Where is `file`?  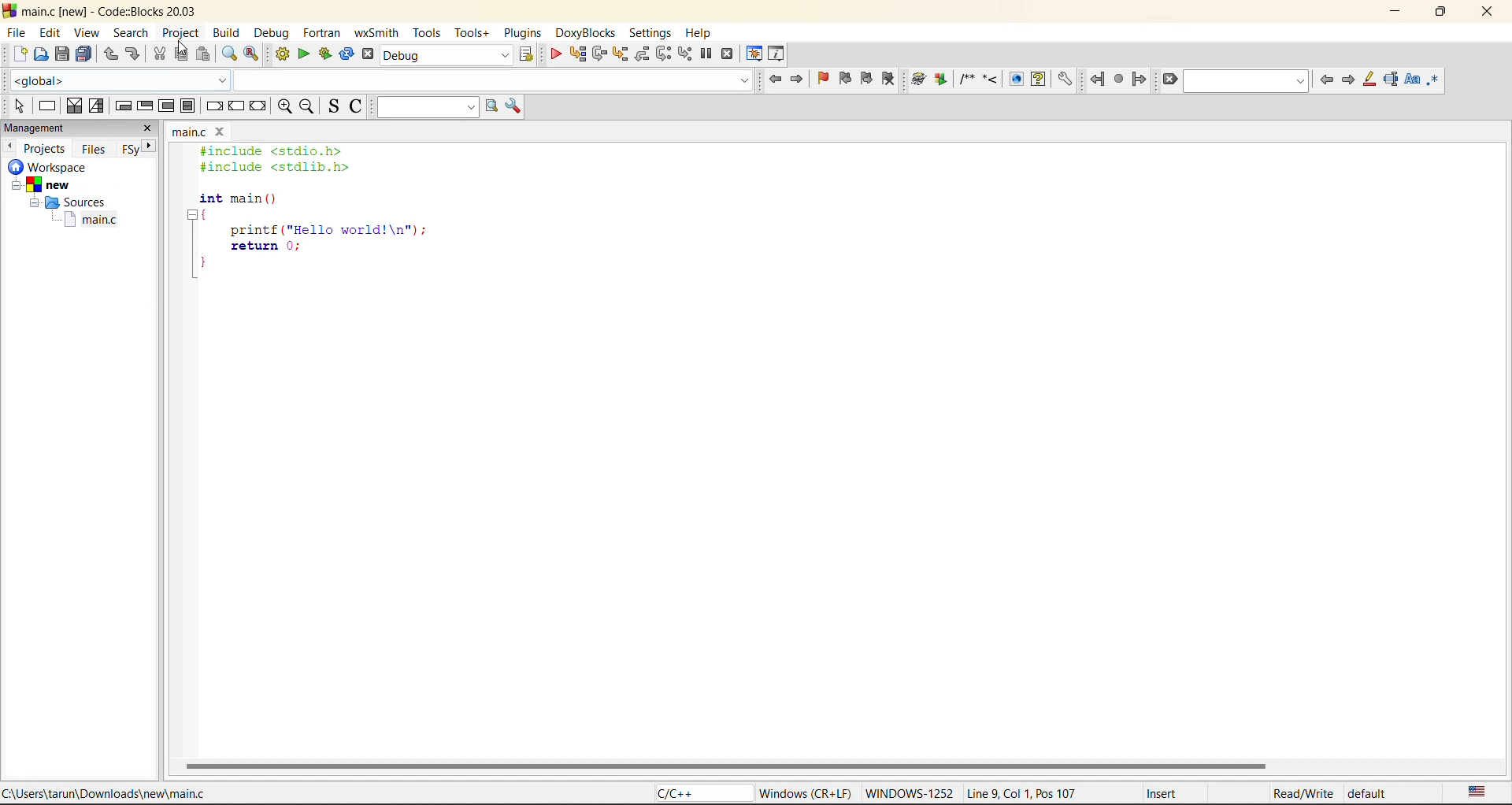
file is located at coordinates (17, 35).